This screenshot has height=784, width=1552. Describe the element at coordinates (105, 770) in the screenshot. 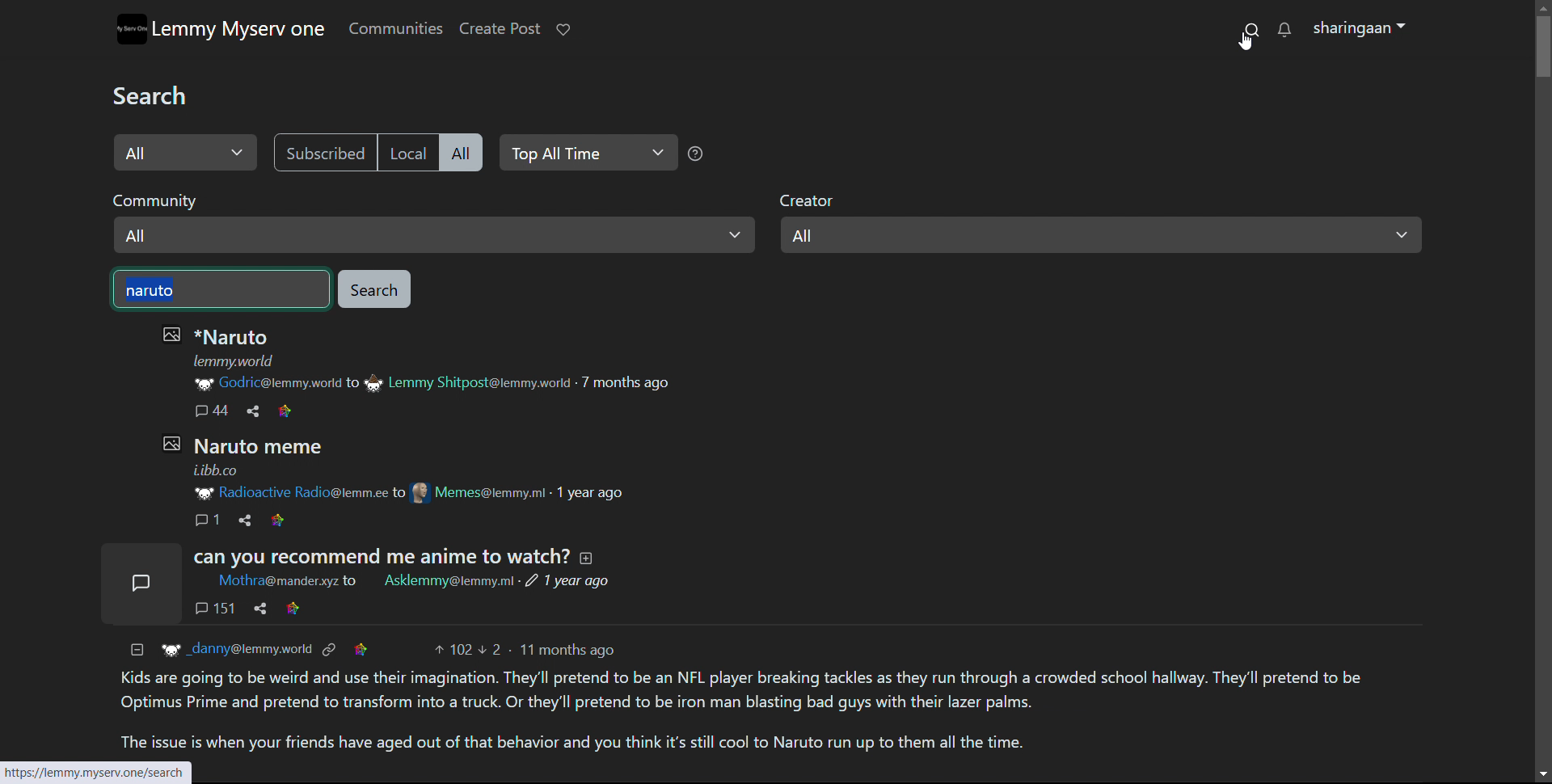

I see `link` at that location.